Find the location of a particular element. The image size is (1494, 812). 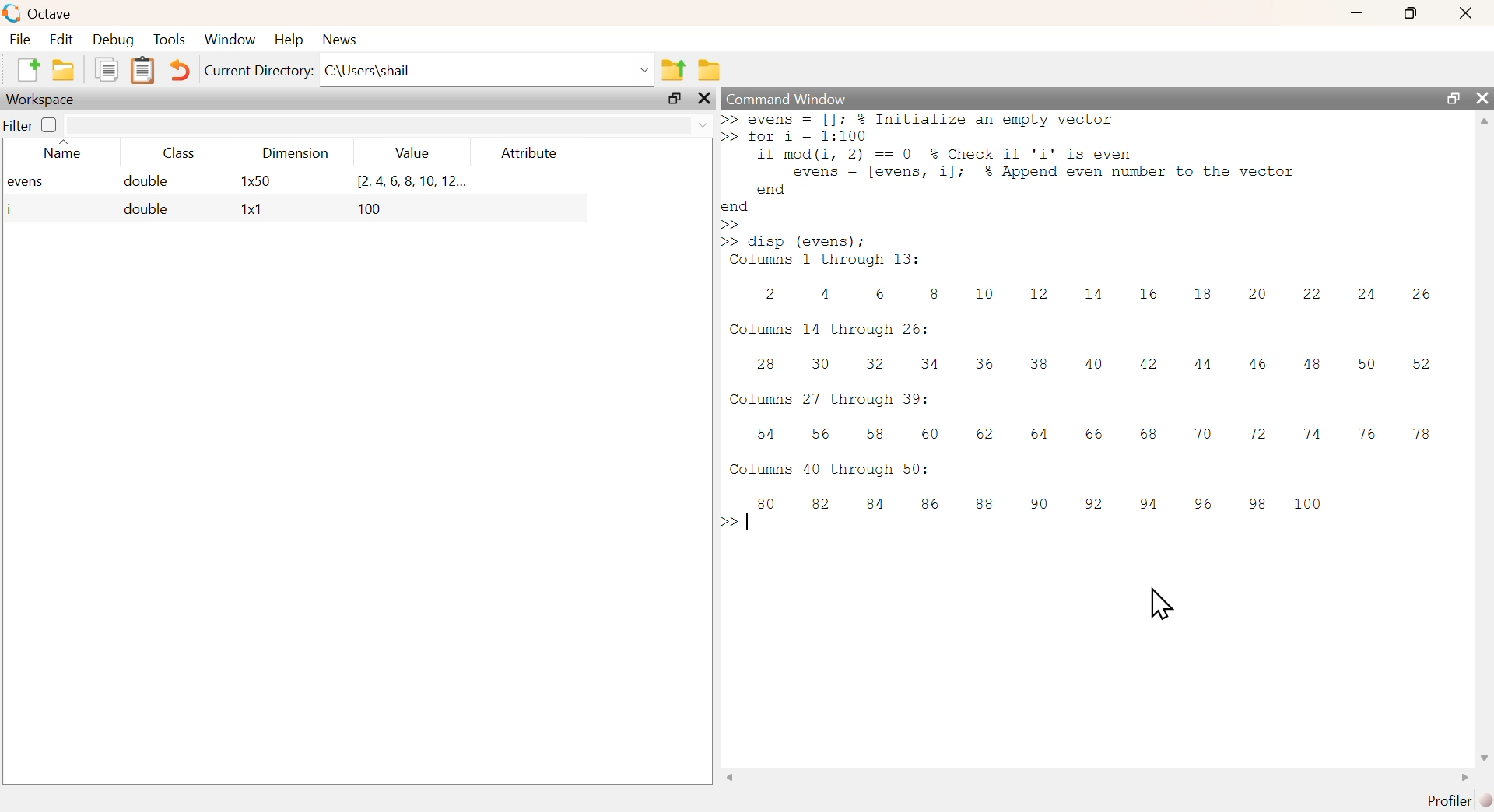

help is located at coordinates (288, 38).